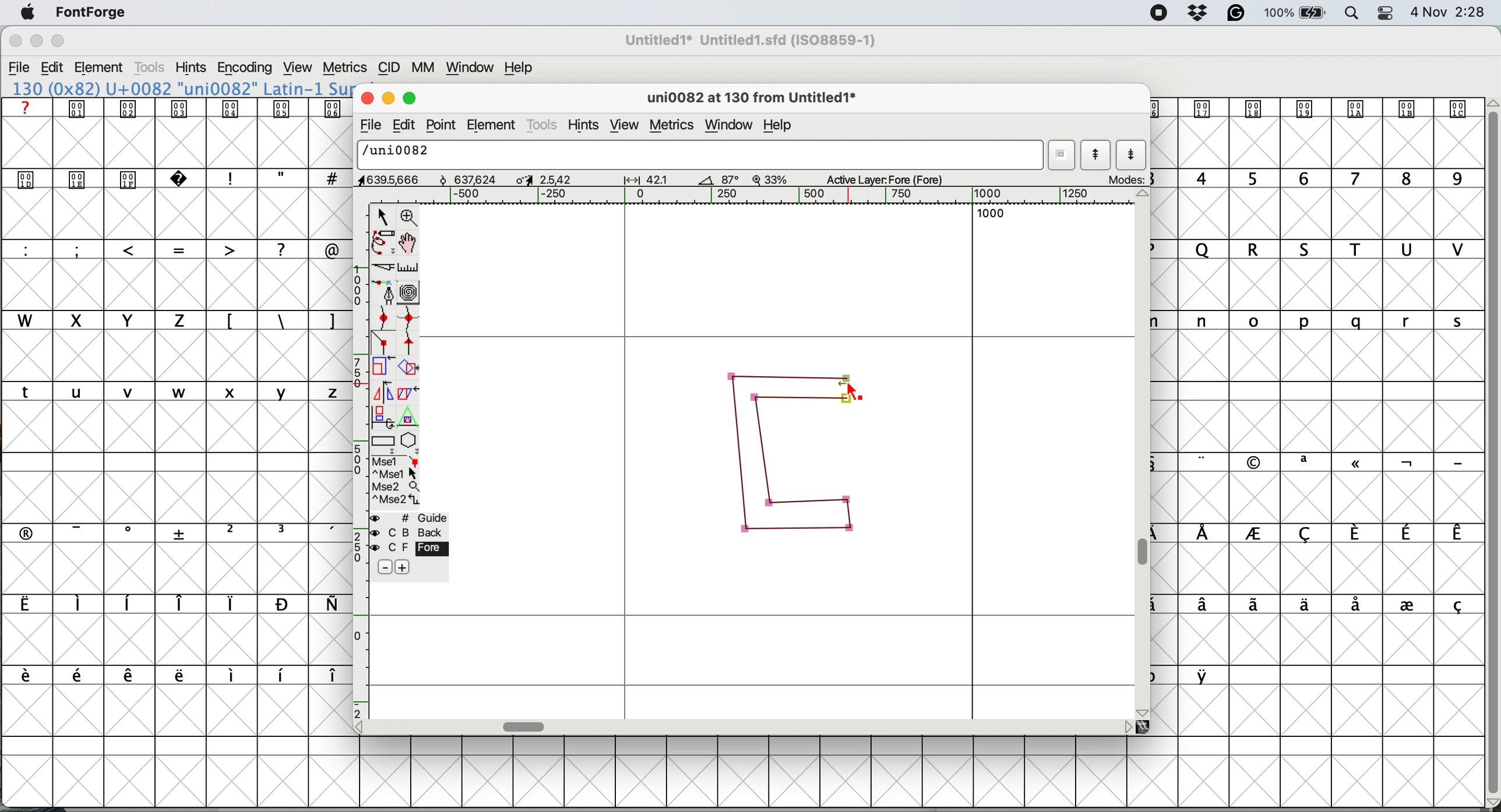 This screenshot has width=1501, height=812. What do you see at coordinates (1160, 13) in the screenshot?
I see `screen recorder` at bounding box center [1160, 13].